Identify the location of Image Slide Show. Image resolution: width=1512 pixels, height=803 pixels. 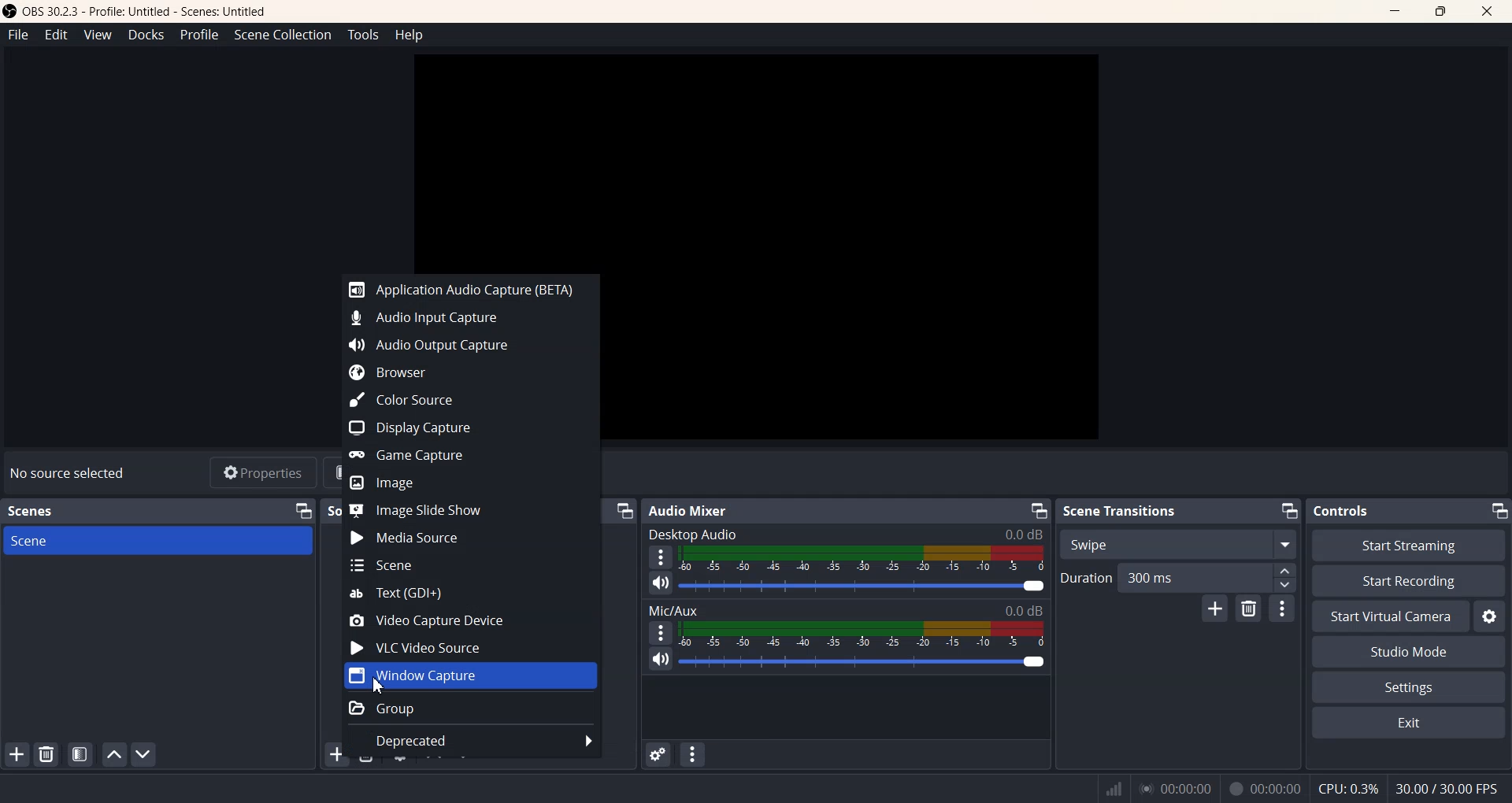
(468, 510).